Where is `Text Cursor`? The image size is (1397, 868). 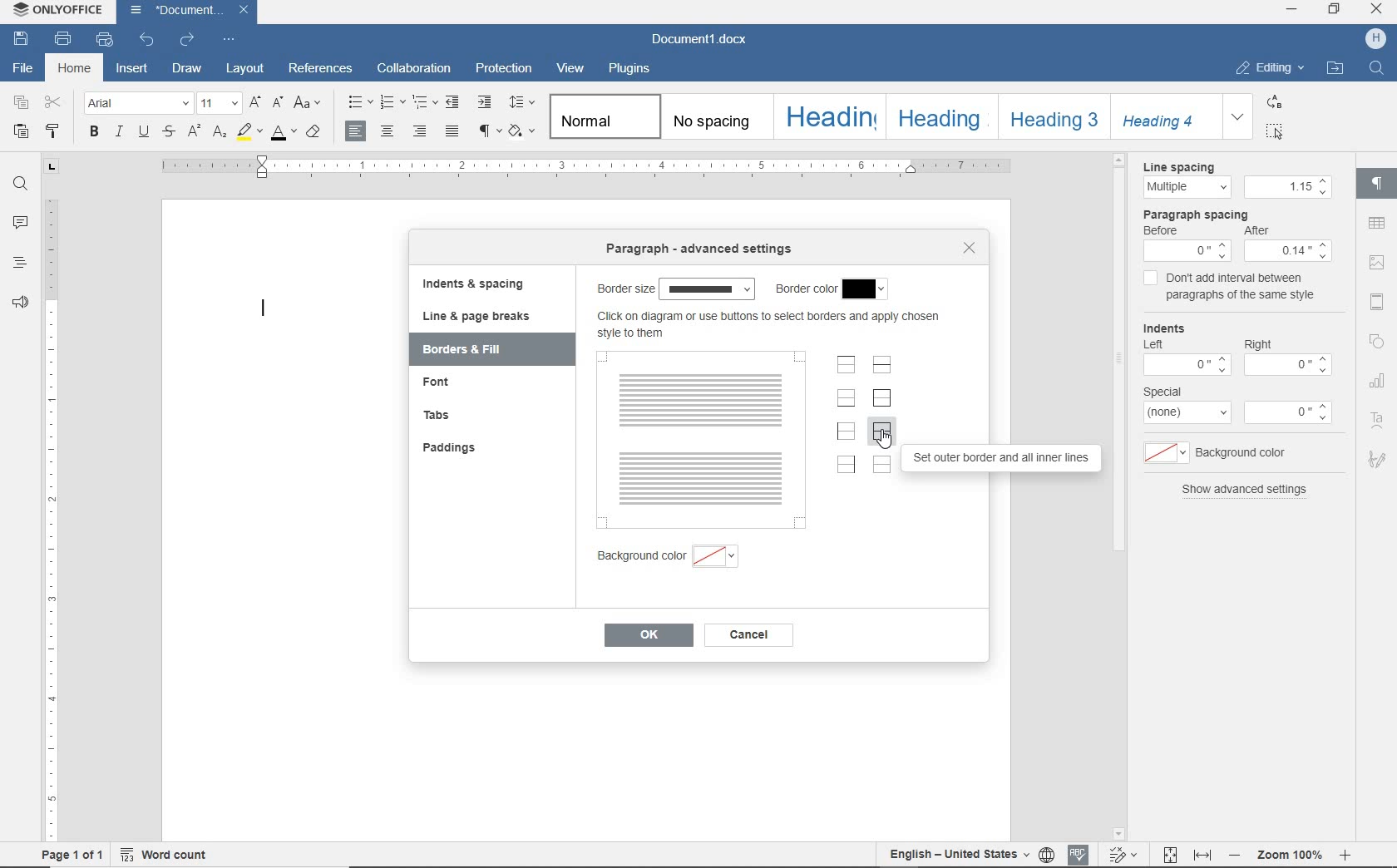
Text Cursor is located at coordinates (259, 307).